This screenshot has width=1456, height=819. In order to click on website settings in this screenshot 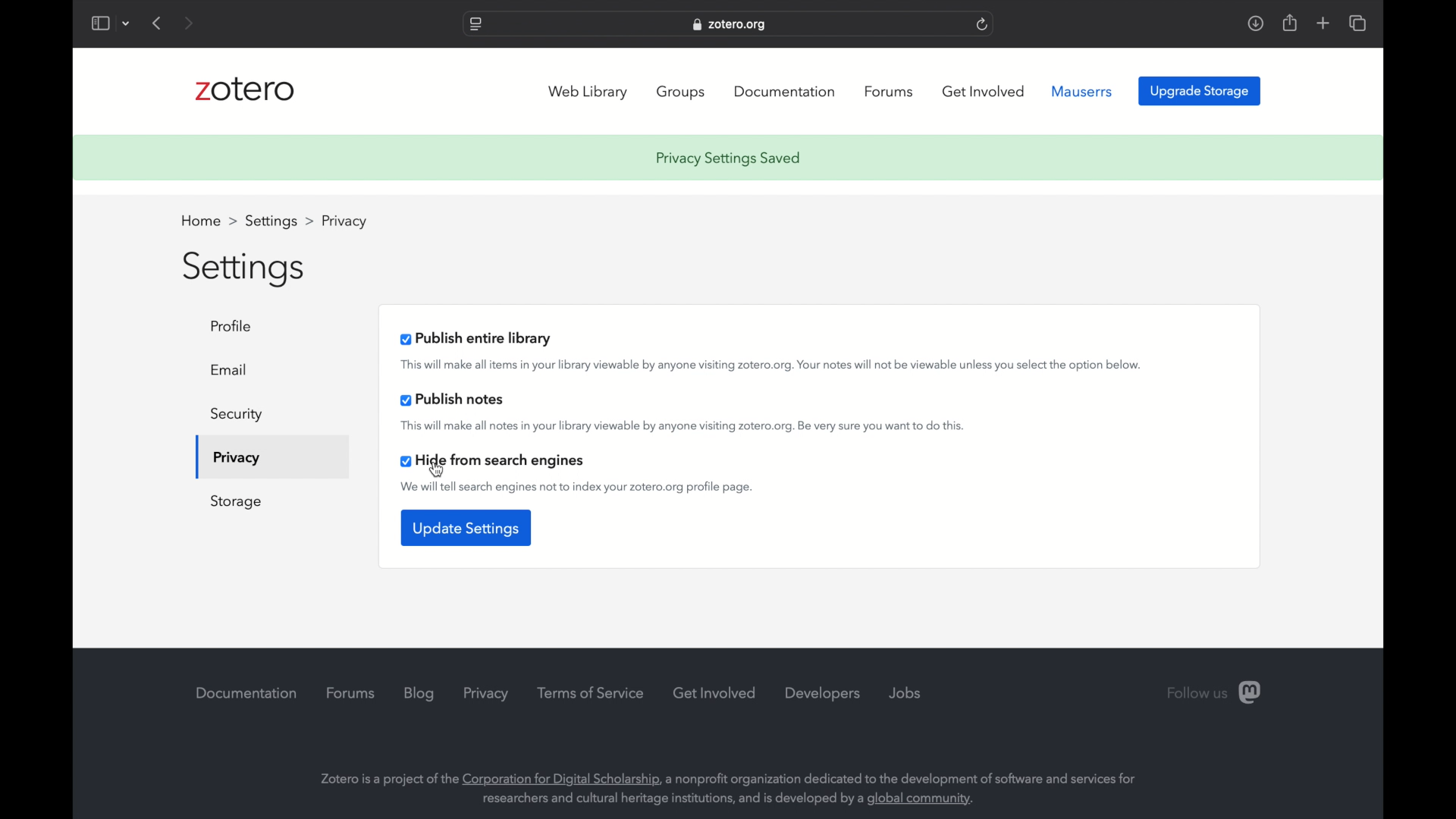, I will do `click(475, 25)`.